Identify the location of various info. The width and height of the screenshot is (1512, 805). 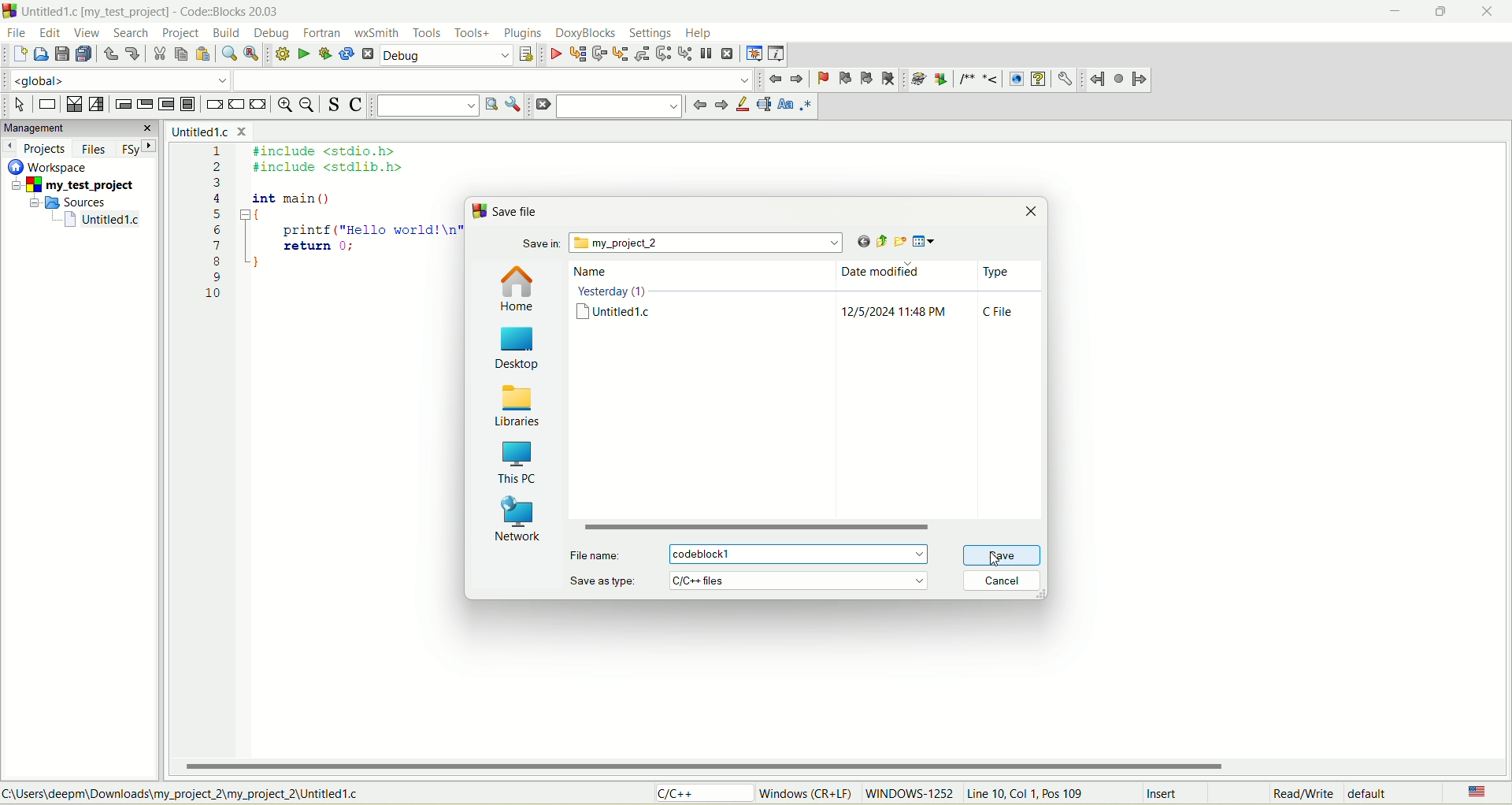
(775, 52).